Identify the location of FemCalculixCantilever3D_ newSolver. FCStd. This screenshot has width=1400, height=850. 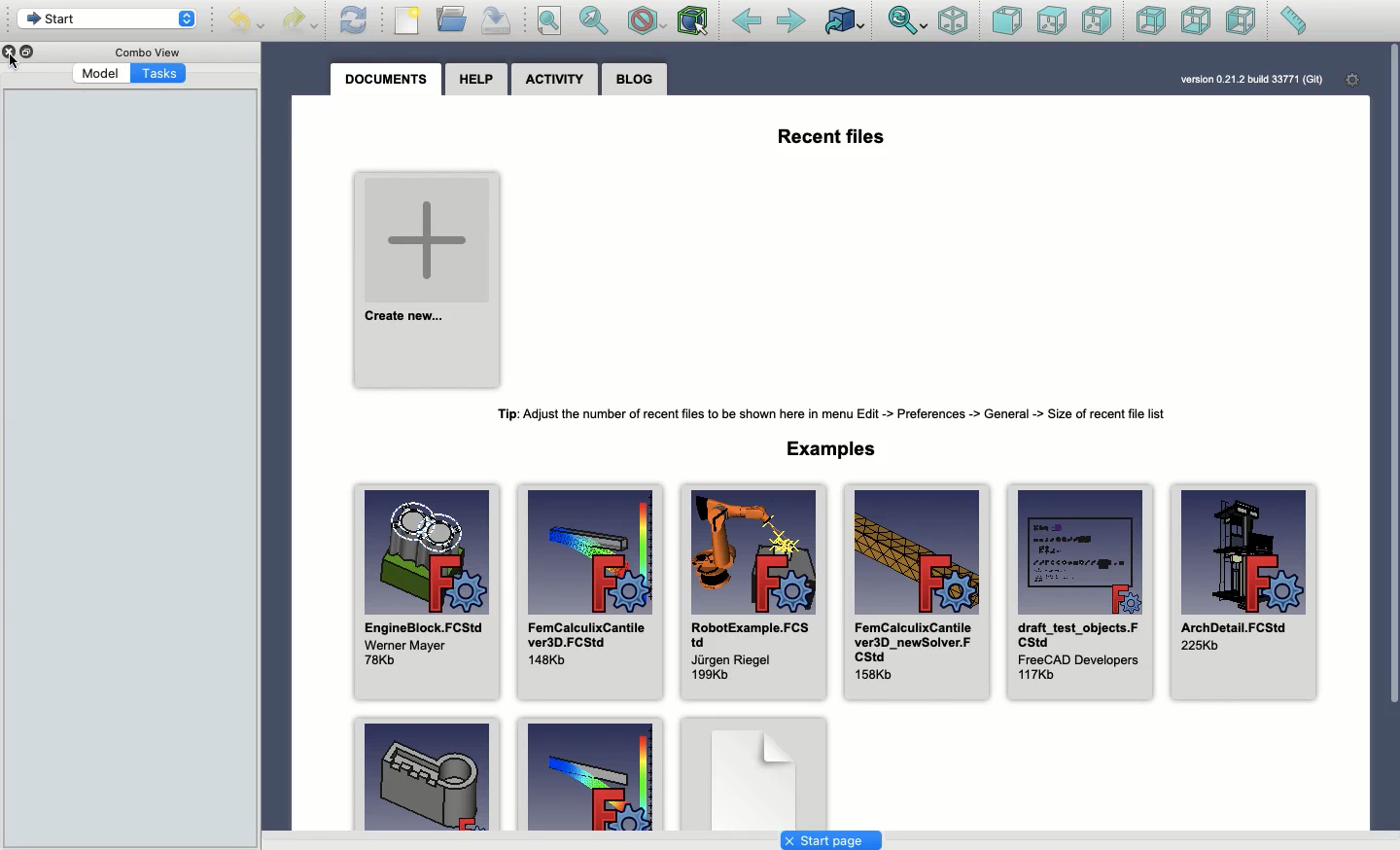
(920, 594).